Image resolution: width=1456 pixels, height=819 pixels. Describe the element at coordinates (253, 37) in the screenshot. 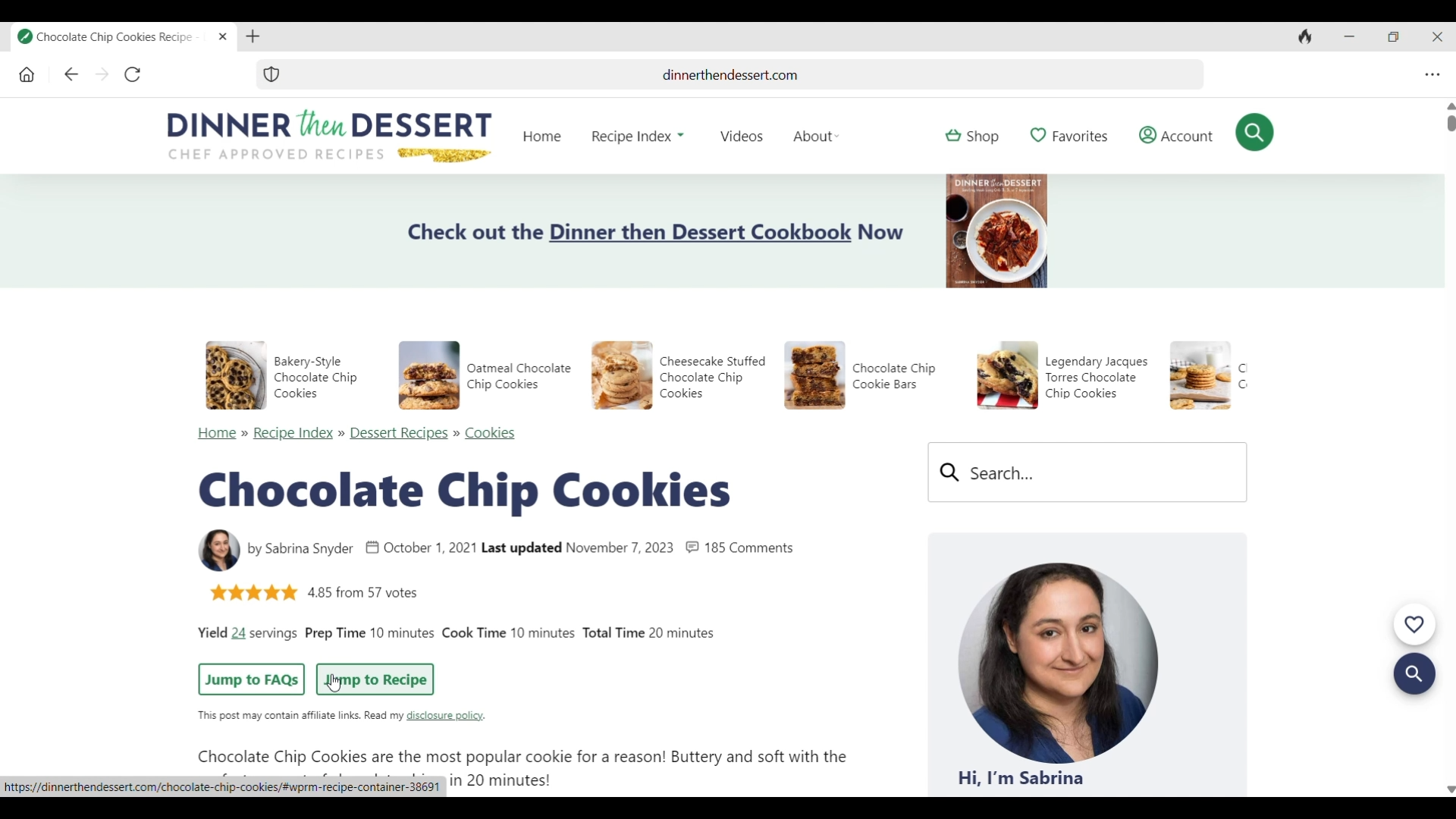

I see `Add tab` at that location.